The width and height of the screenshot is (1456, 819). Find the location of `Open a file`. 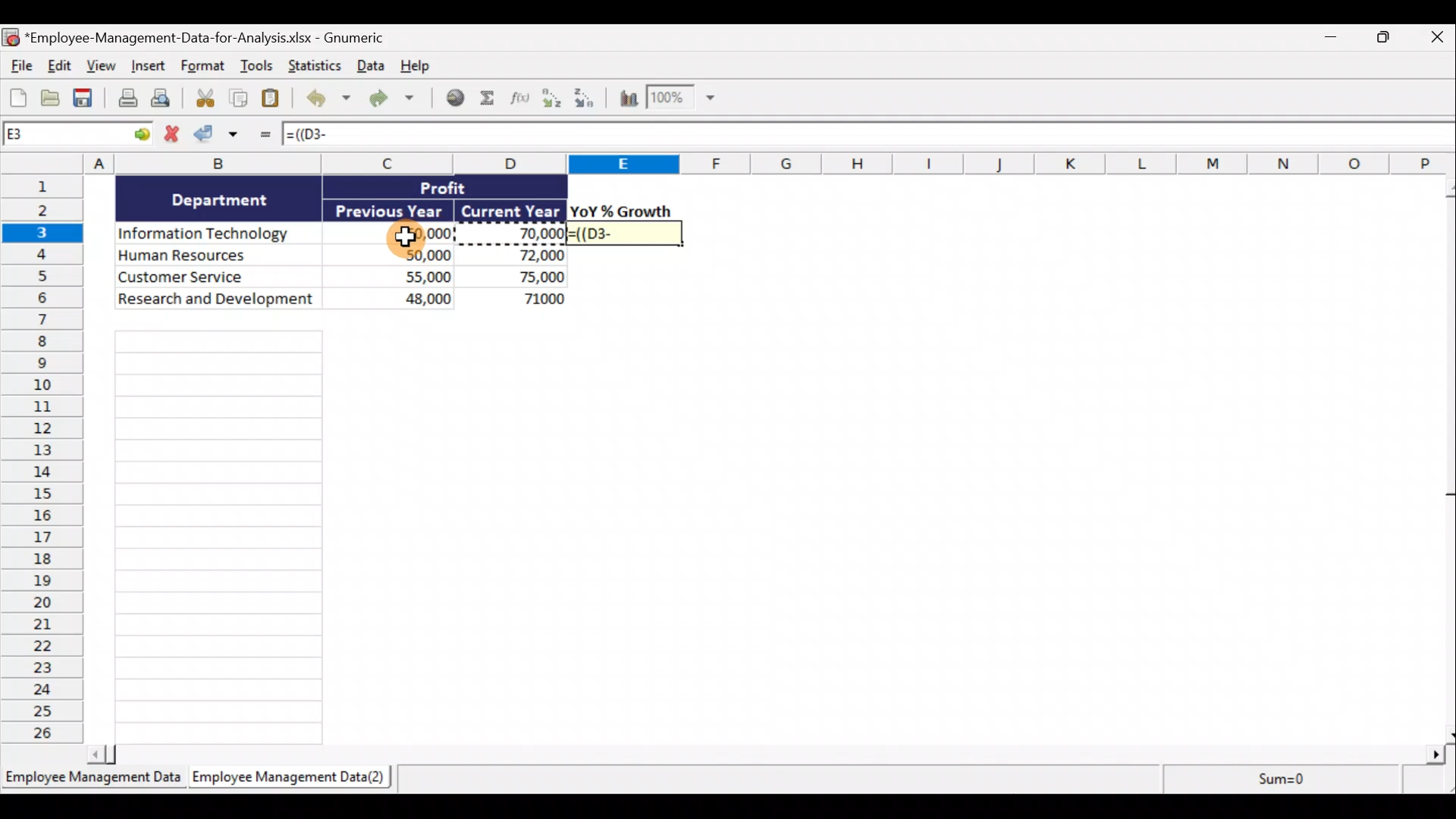

Open a file is located at coordinates (52, 98).